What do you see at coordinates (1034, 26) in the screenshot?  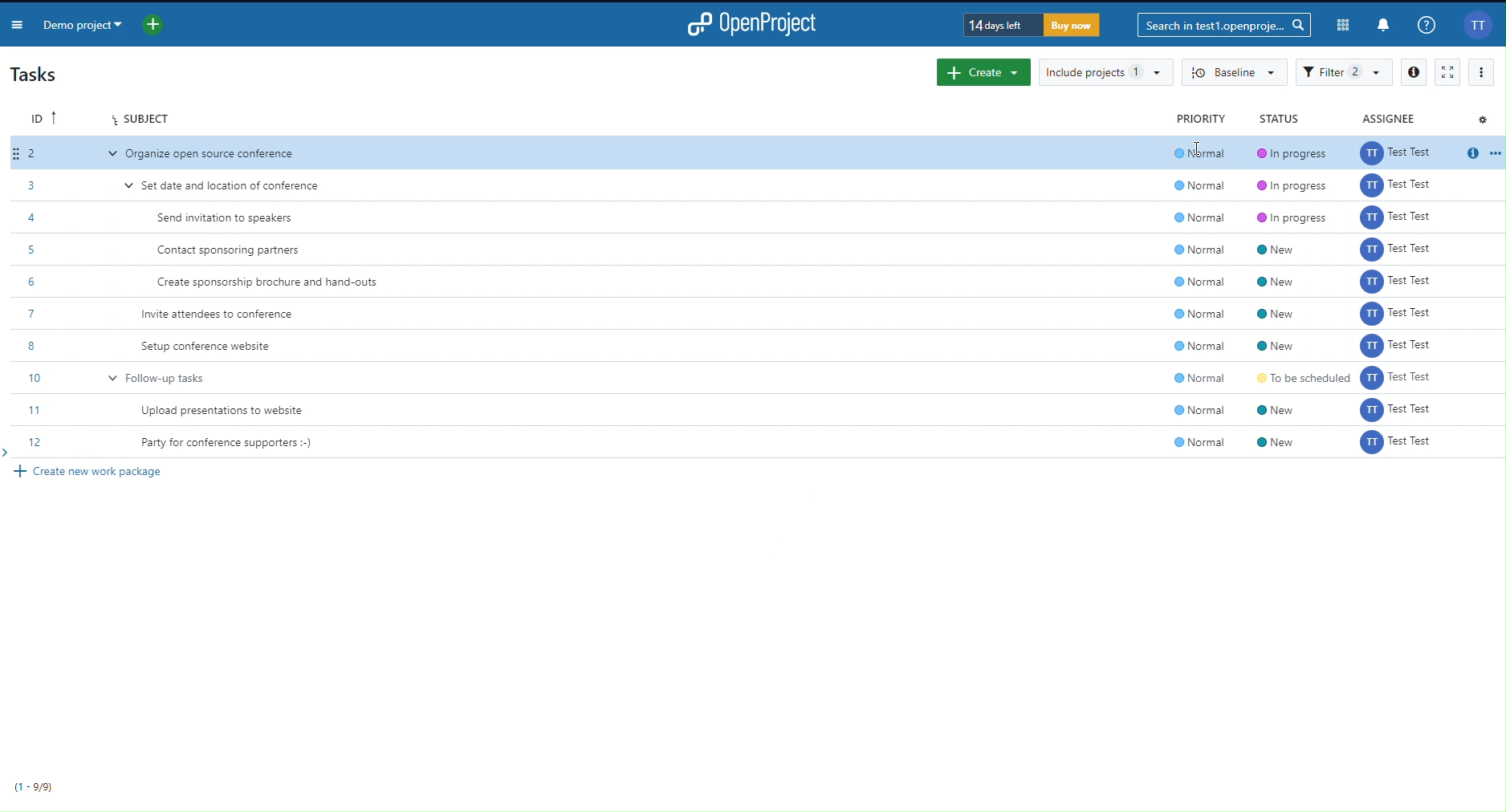 I see `Trial Timer` at bounding box center [1034, 26].